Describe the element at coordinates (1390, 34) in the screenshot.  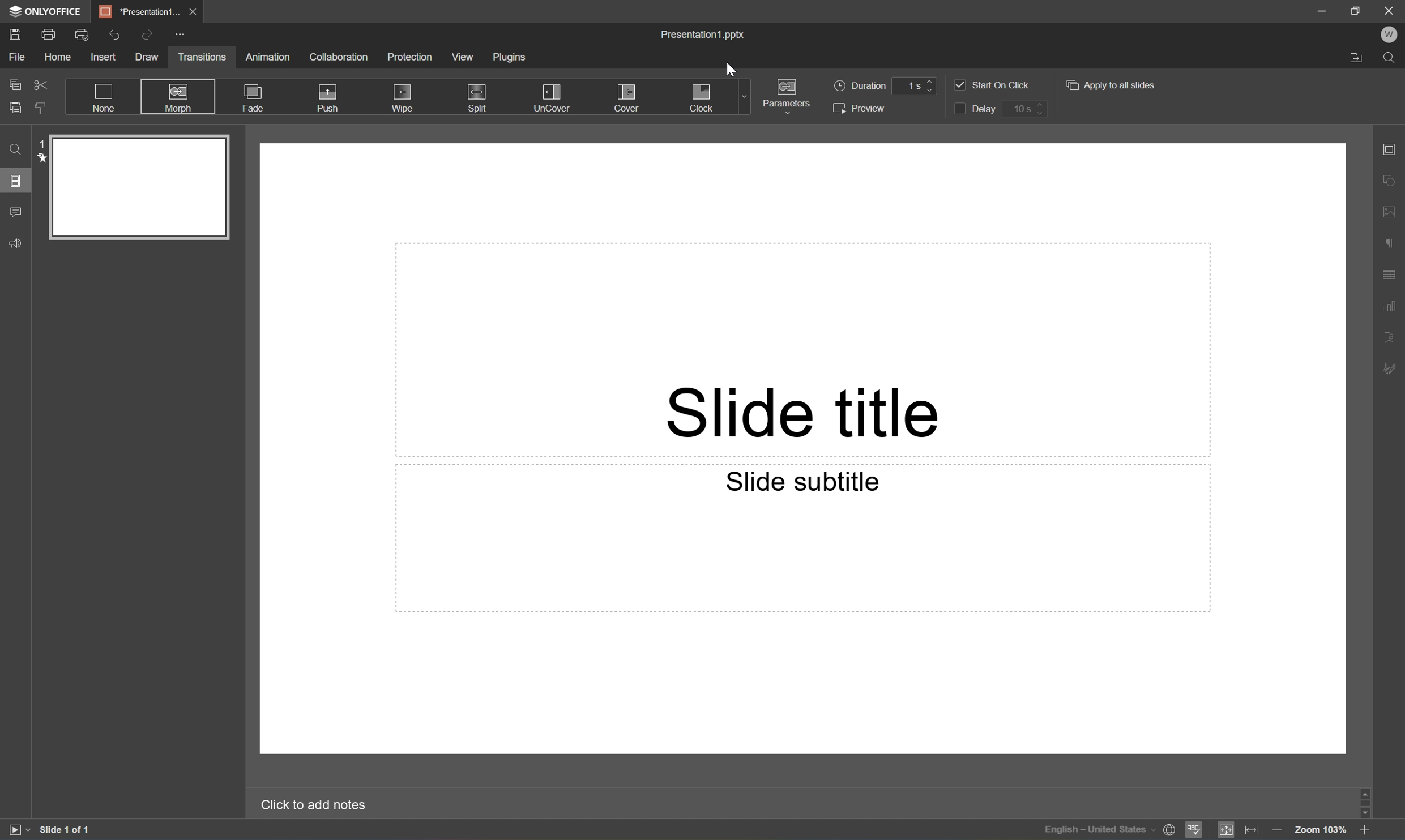
I see `W` at that location.